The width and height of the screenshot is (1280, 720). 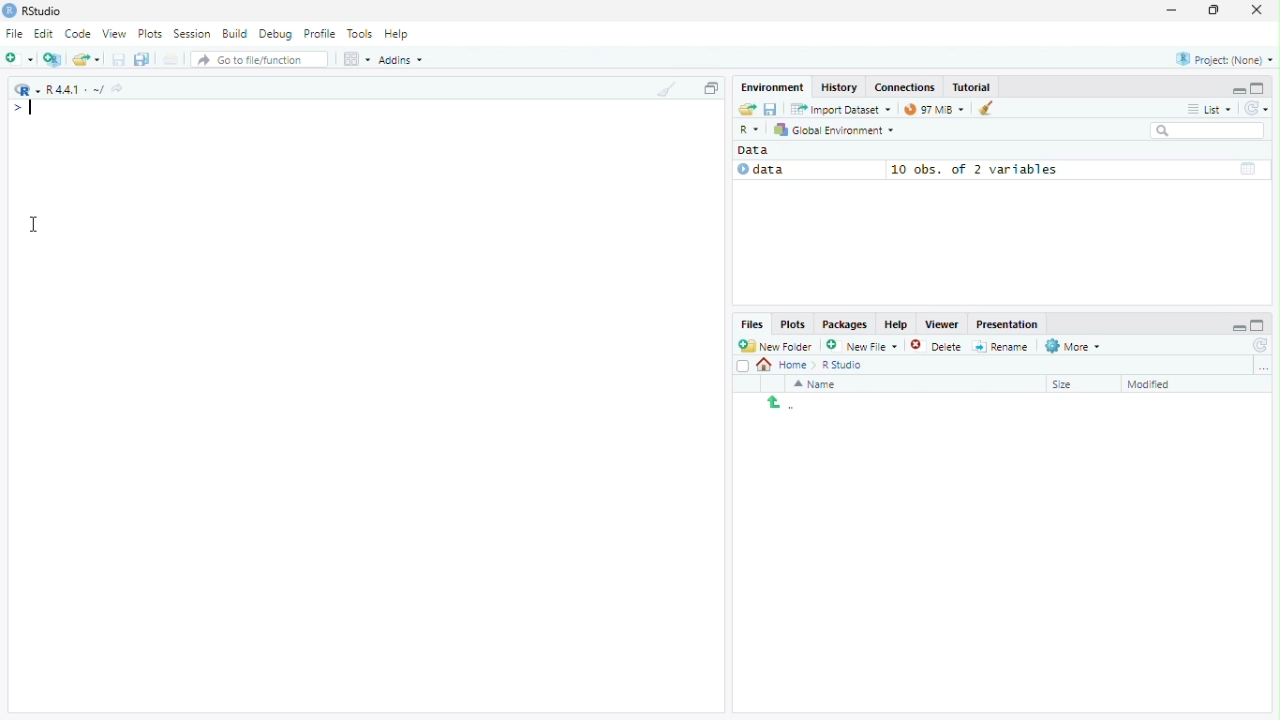 What do you see at coordinates (143, 59) in the screenshot?
I see `save all open documents` at bounding box center [143, 59].